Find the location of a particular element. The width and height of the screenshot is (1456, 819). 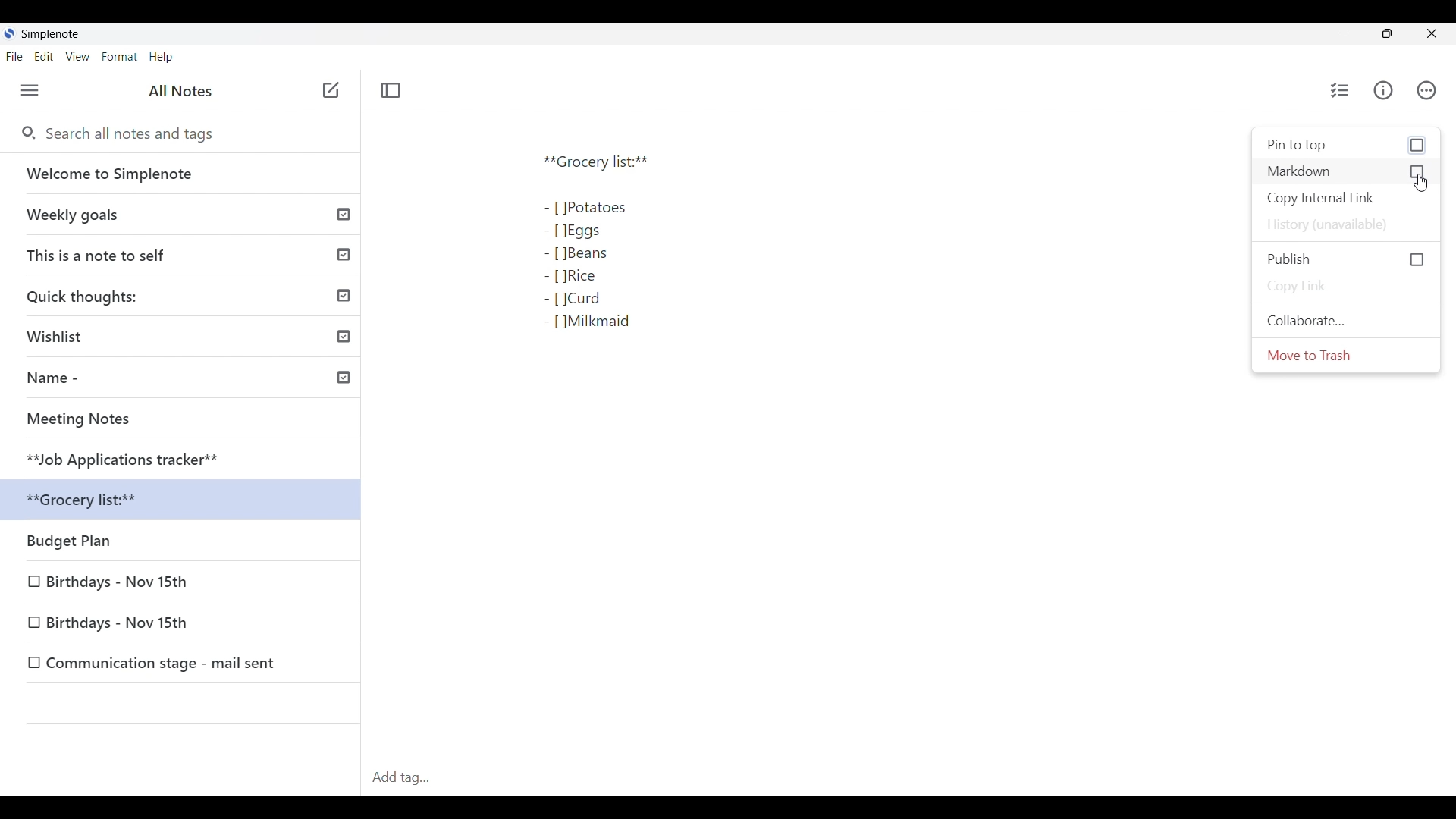

Click to add note is located at coordinates (331, 89).